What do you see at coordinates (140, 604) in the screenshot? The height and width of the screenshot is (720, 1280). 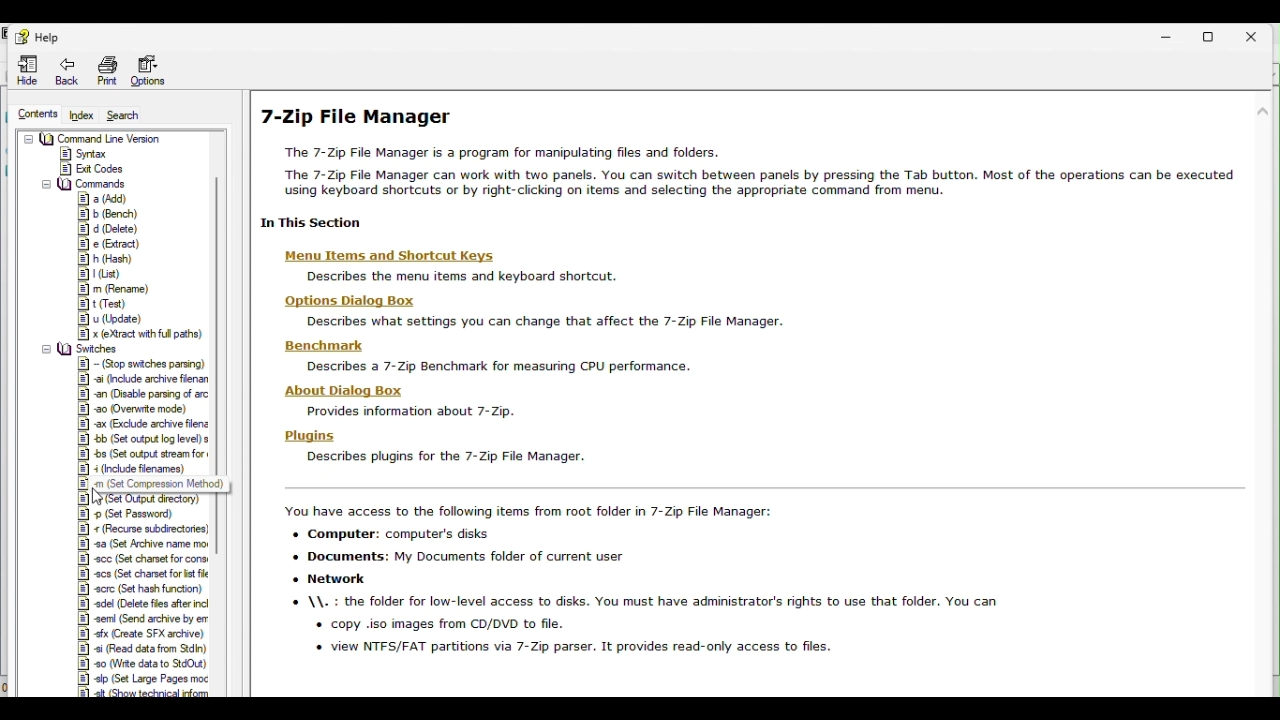 I see `sdel` at bounding box center [140, 604].